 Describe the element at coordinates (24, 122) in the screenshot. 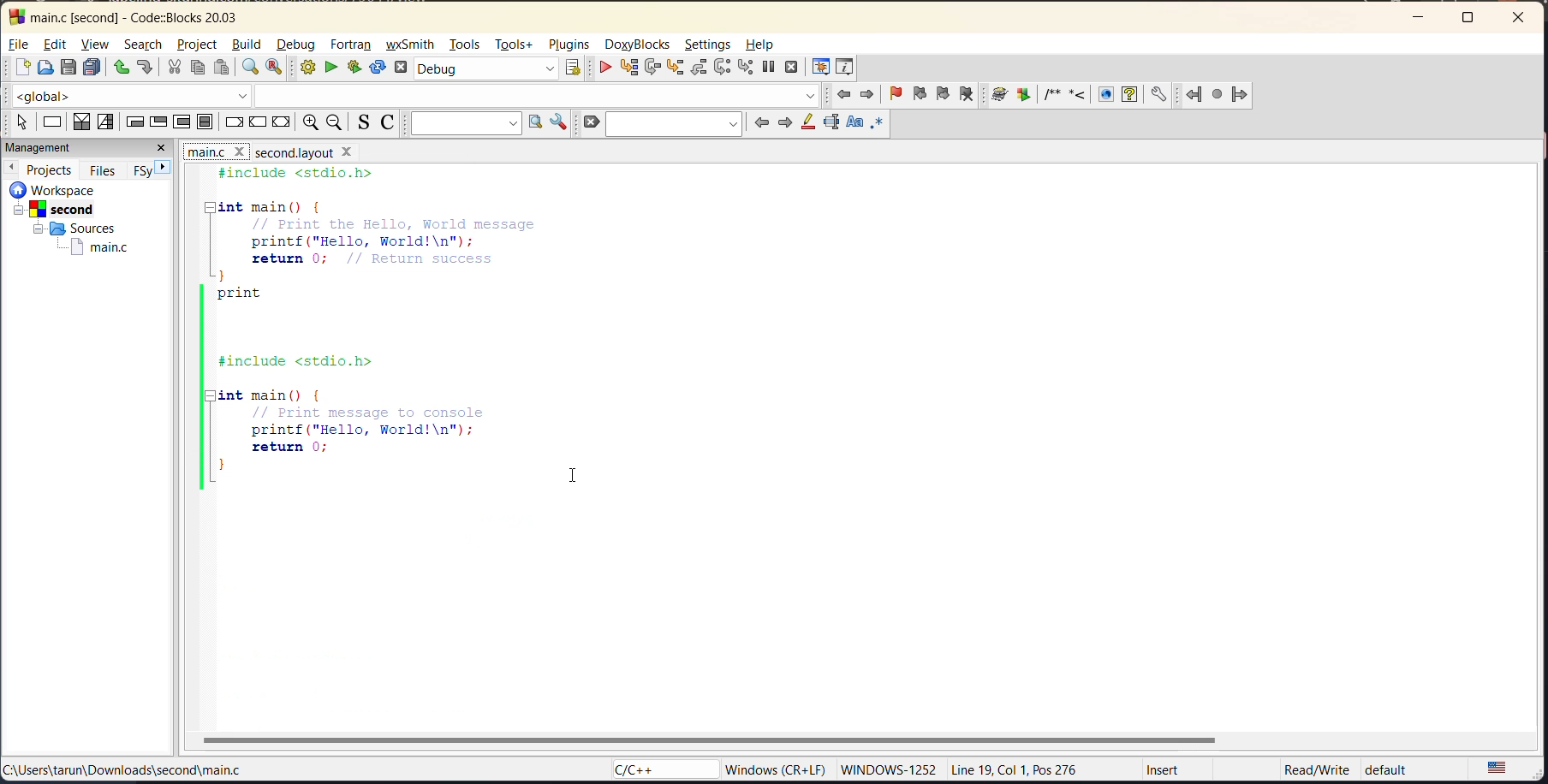

I see `select` at that location.